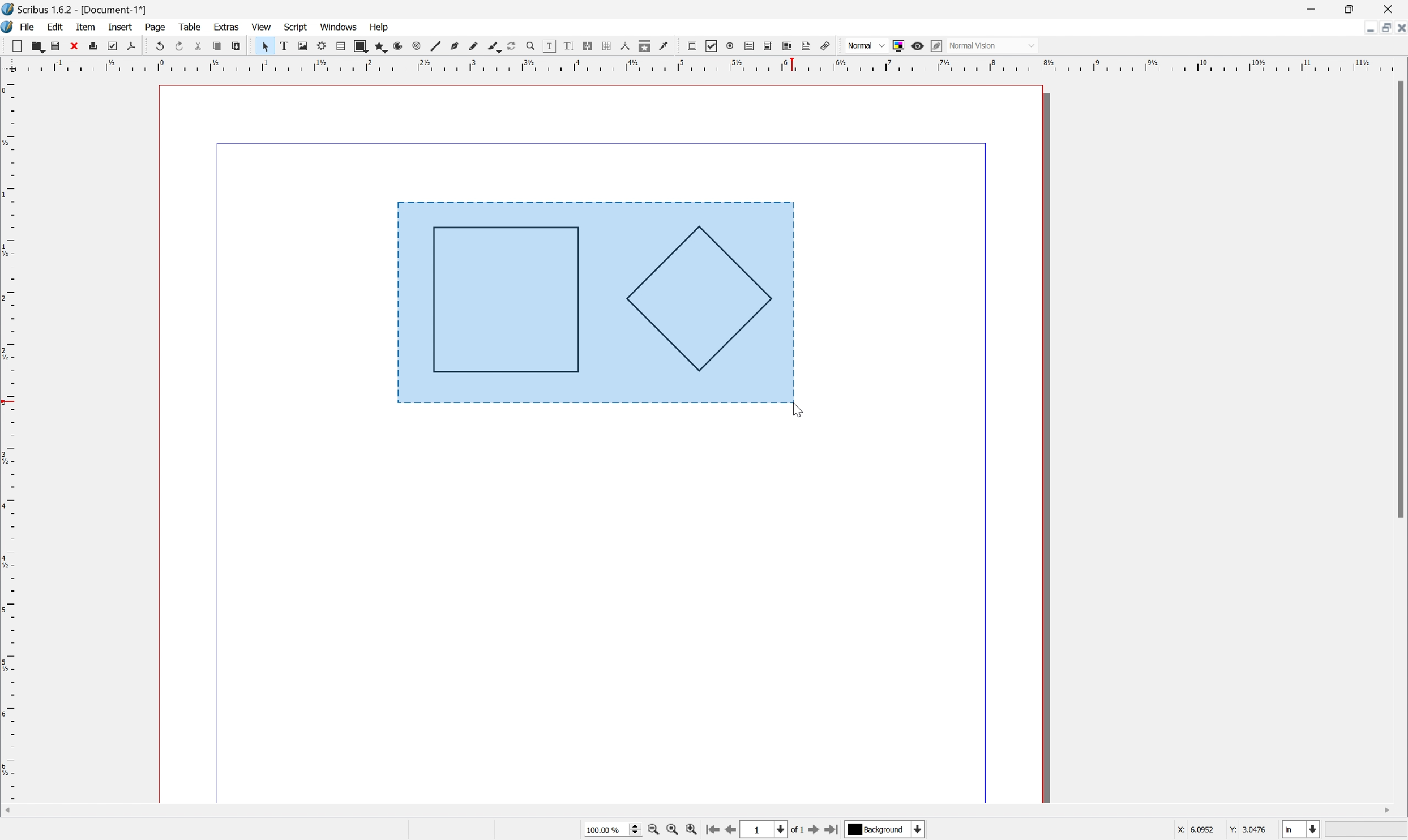 The height and width of the screenshot is (840, 1408). Describe the element at coordinates (57, 27) in the screenshot. I see `edit` at that location.